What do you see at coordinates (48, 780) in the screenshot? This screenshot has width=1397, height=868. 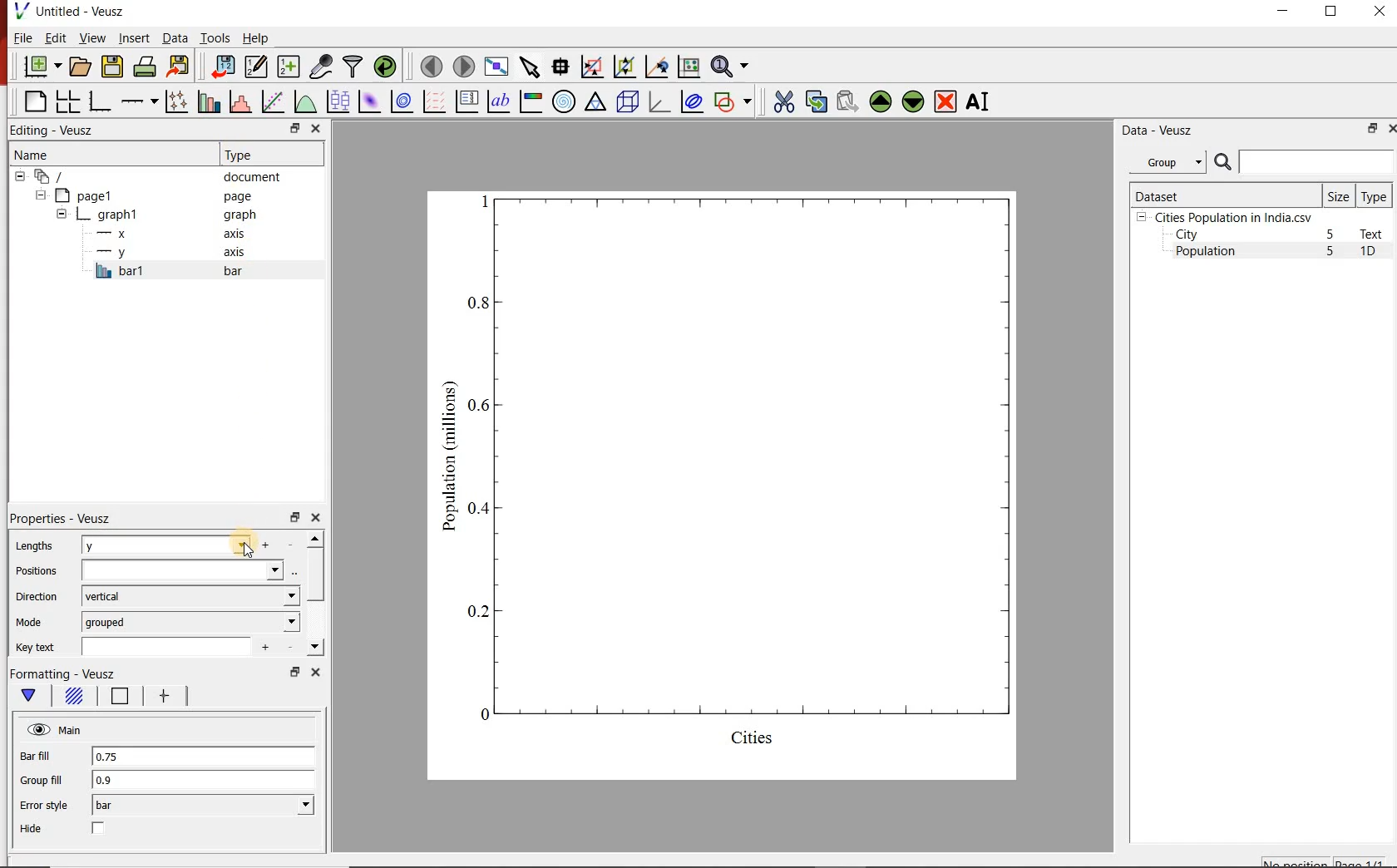 I see `Group fill` at bounding box center [48, 780].